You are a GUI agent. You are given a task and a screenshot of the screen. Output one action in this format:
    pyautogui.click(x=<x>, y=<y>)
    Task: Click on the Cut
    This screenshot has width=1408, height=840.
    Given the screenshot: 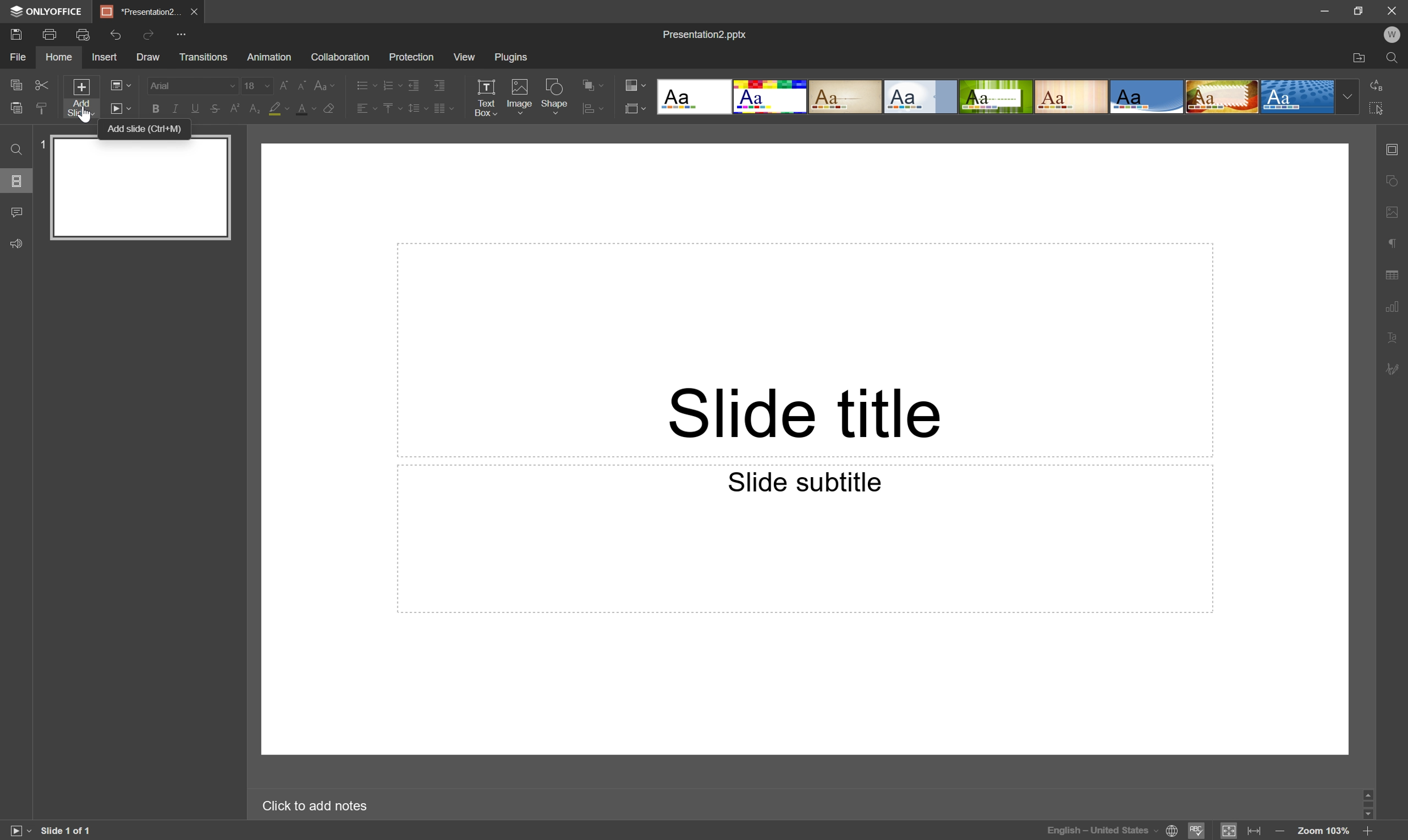 What is the action you would take?
    pyautogui.click(x=42, y=85)
    